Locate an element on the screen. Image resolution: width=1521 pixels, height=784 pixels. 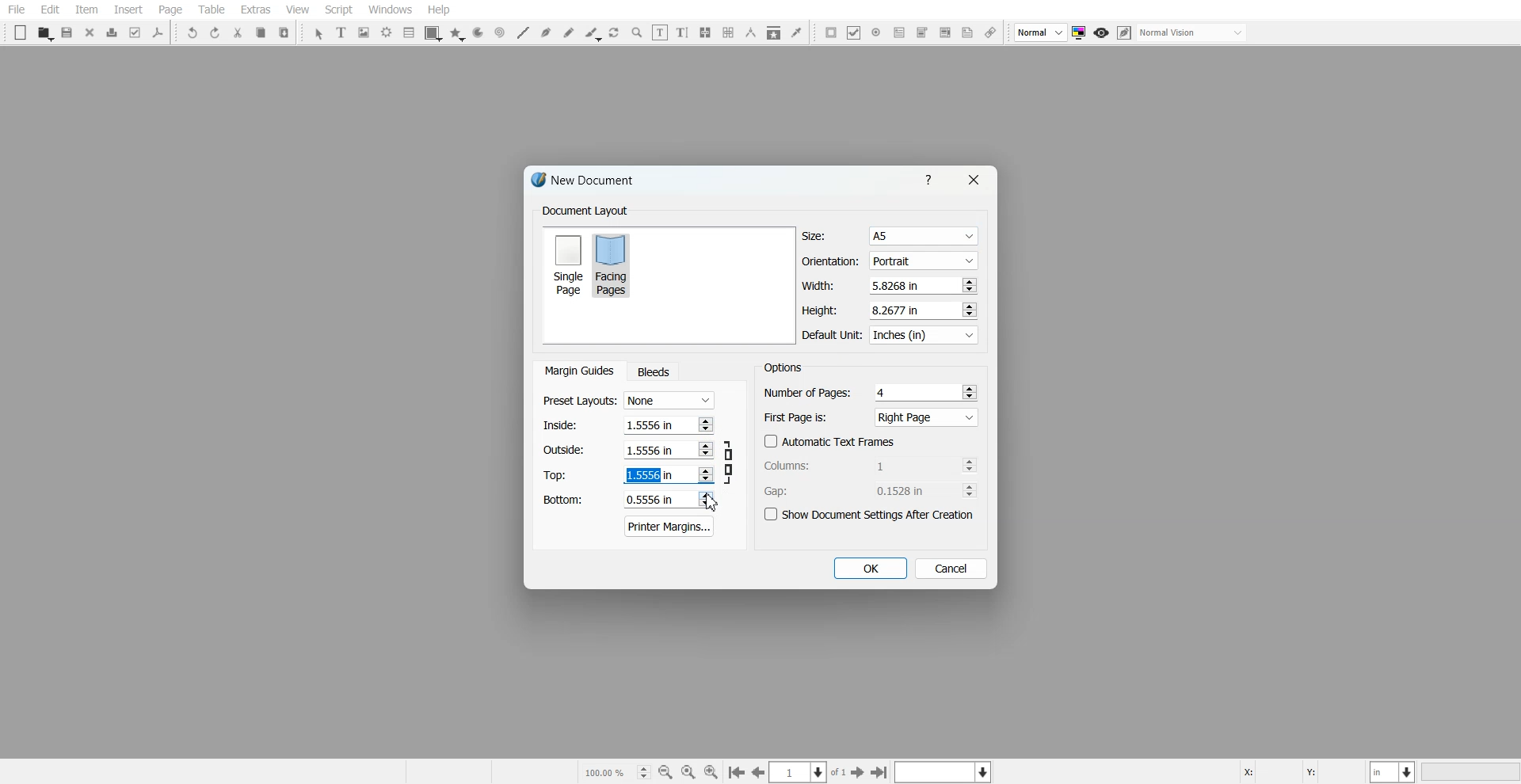
Item is located at coordinates (86, 10).